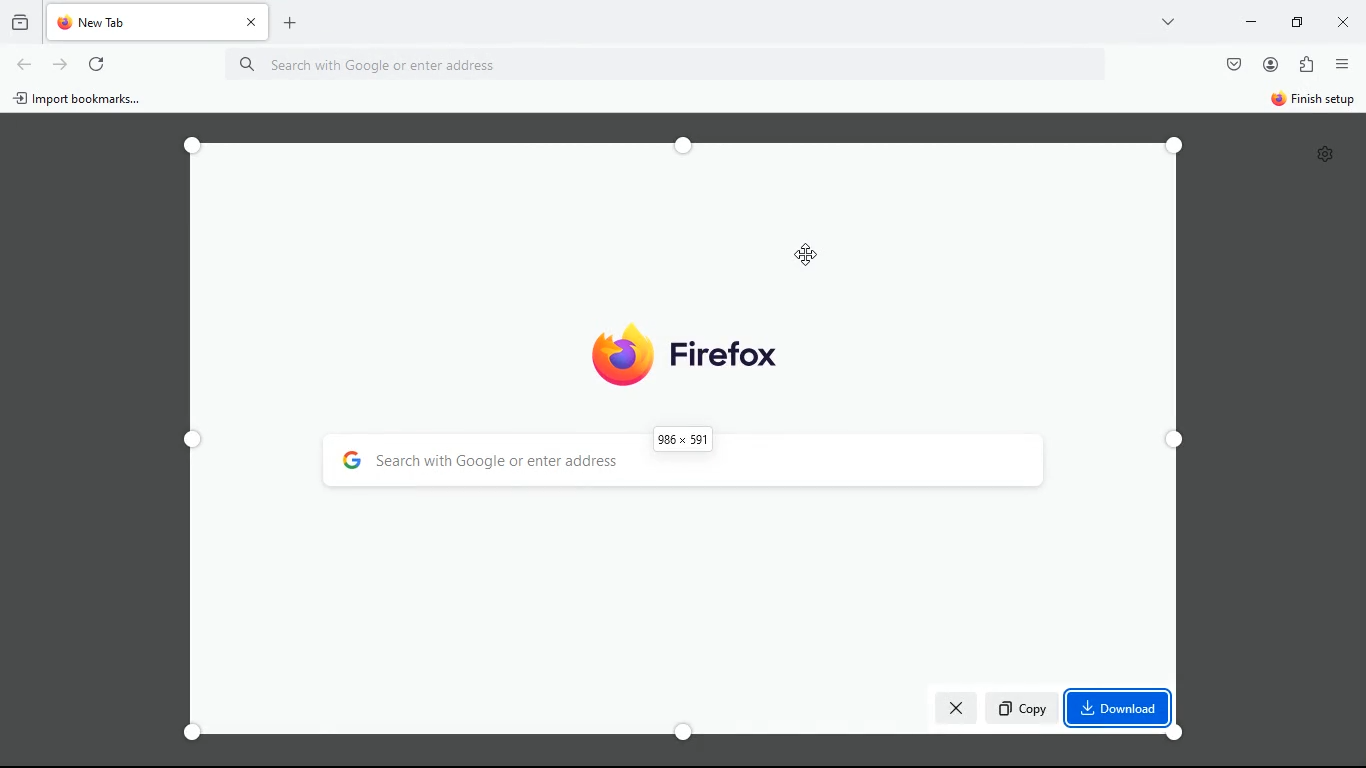 This screenshot has width=1366, height=768. Describe the element at coordinates (83, 100) in the screenshot. I see `import bookmarks` at that location.